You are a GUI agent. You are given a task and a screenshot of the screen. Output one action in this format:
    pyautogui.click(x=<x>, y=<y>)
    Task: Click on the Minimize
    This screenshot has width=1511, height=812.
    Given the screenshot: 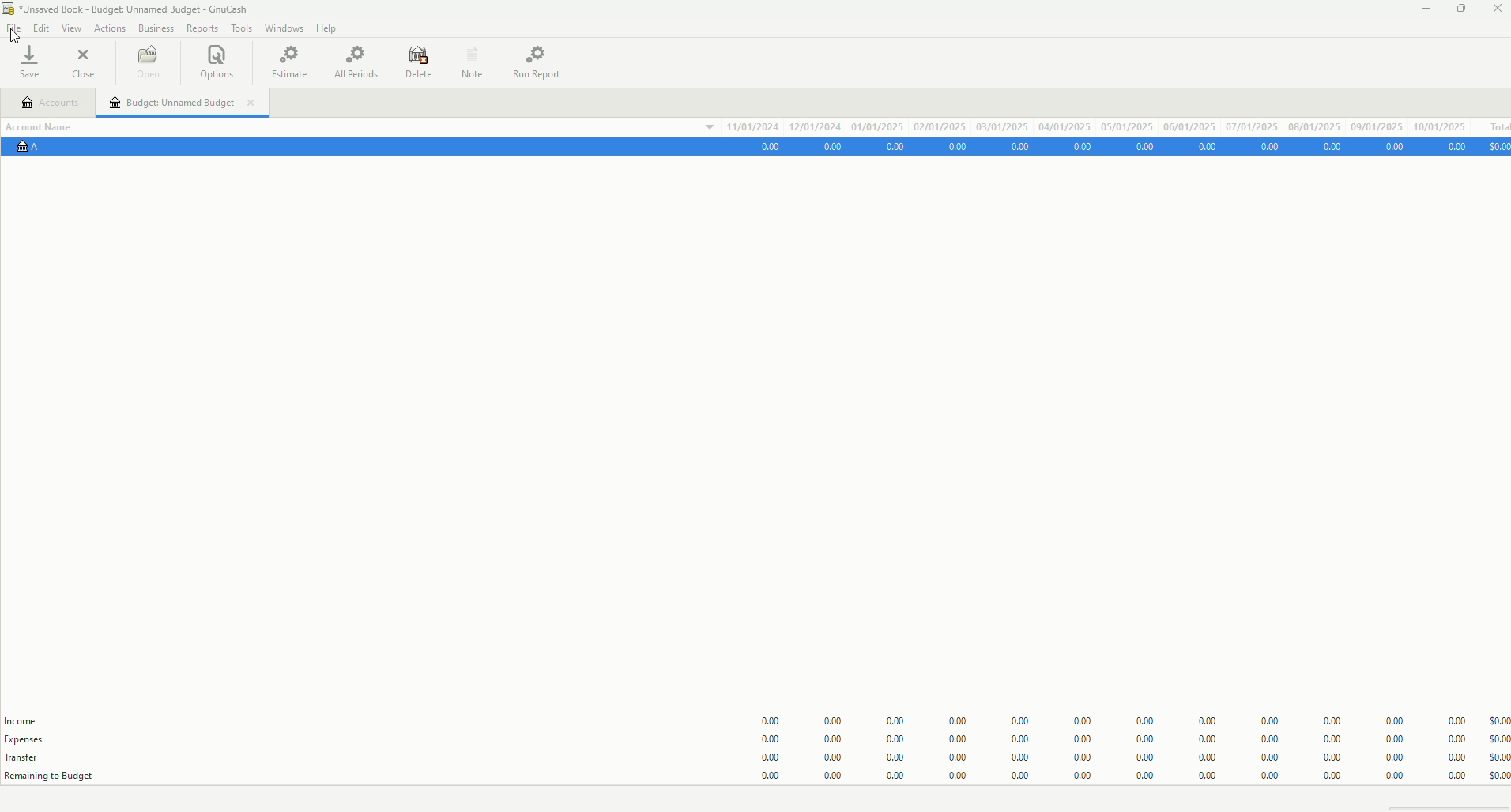 What is the action you would take?
    pyautogui.click(x=1425, y=8)
    